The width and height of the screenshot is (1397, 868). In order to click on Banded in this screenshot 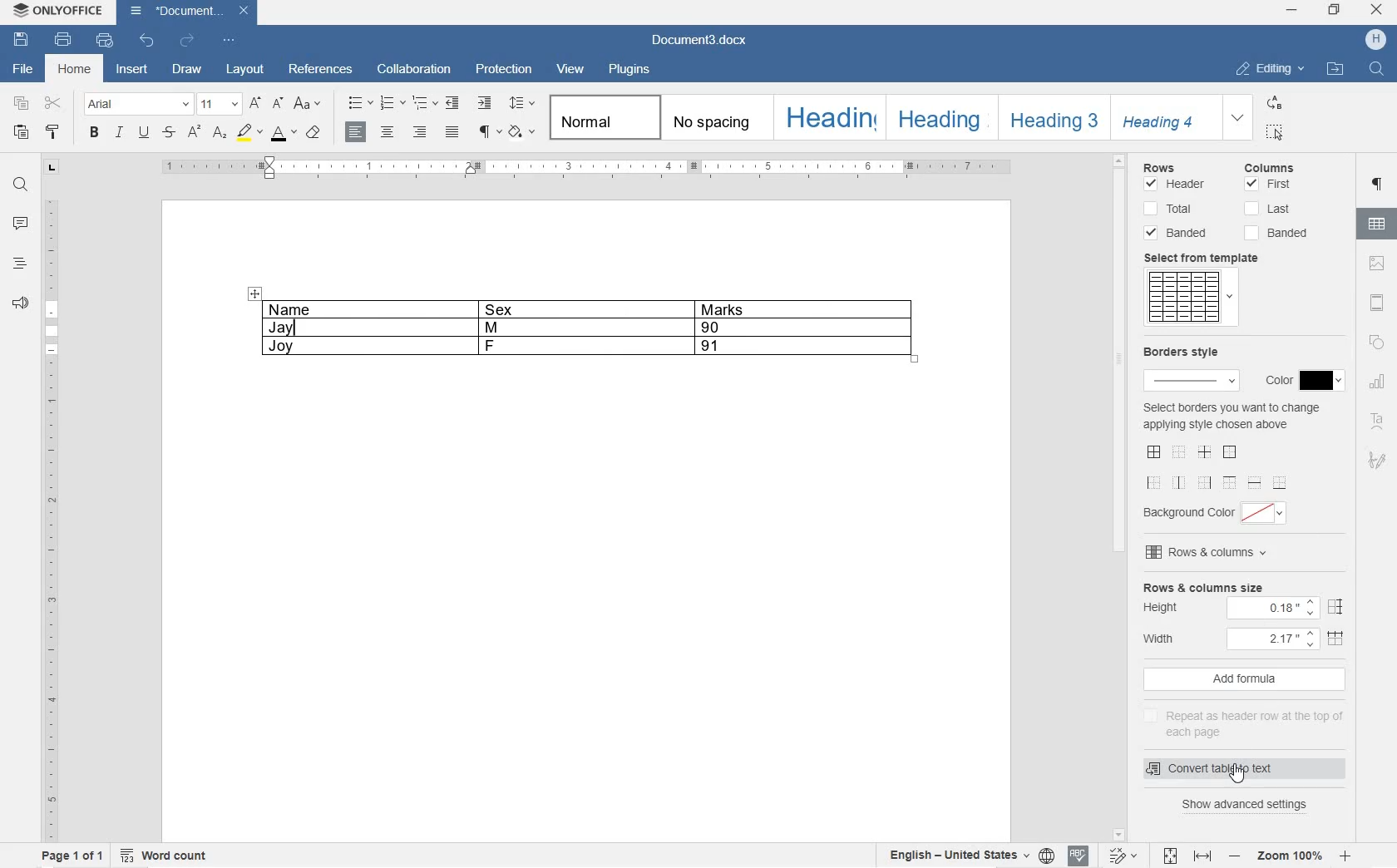, I will do `click(1279, 233)`.